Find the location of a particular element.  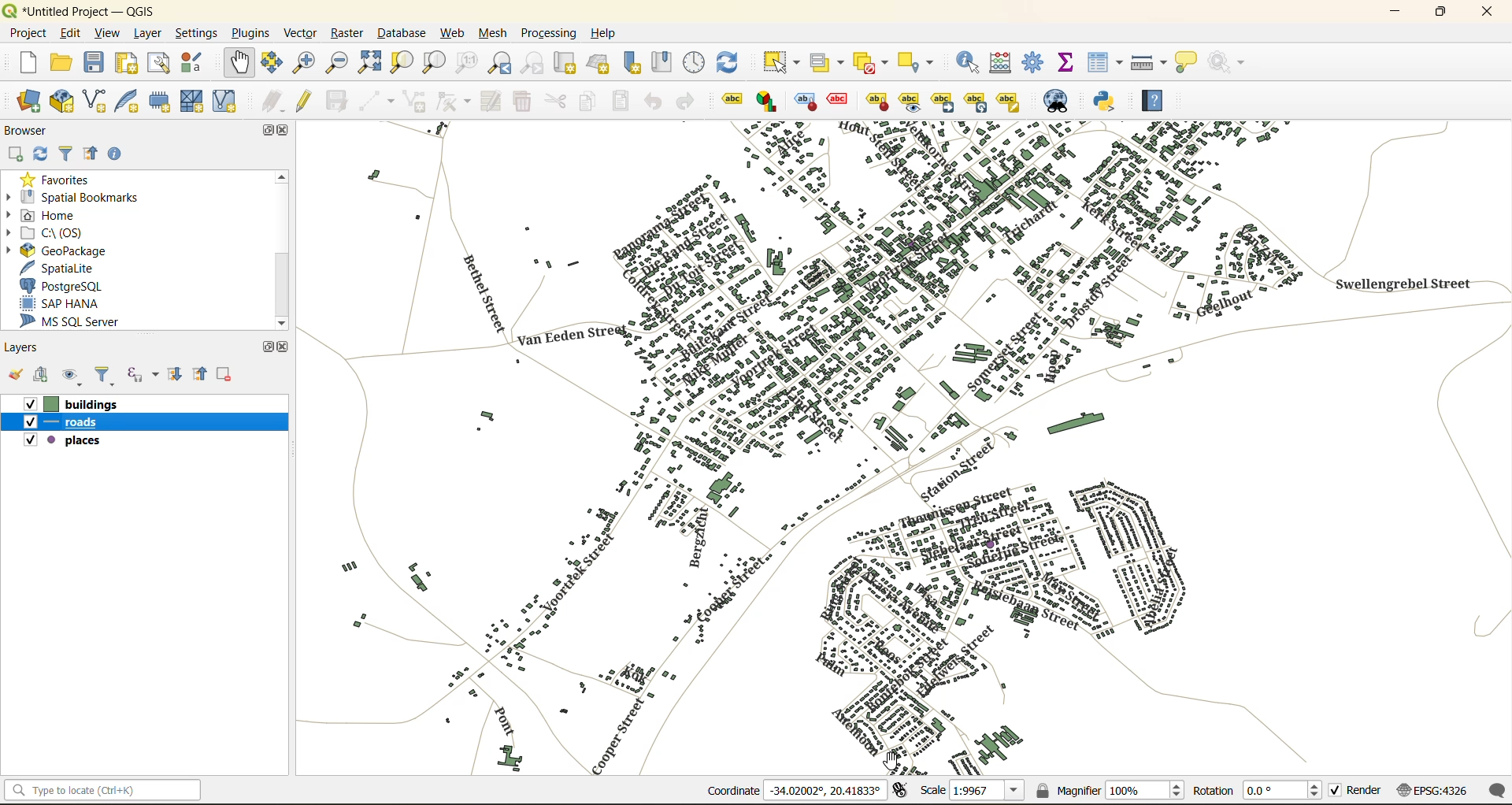

remove is located at coordinates (223, 377).